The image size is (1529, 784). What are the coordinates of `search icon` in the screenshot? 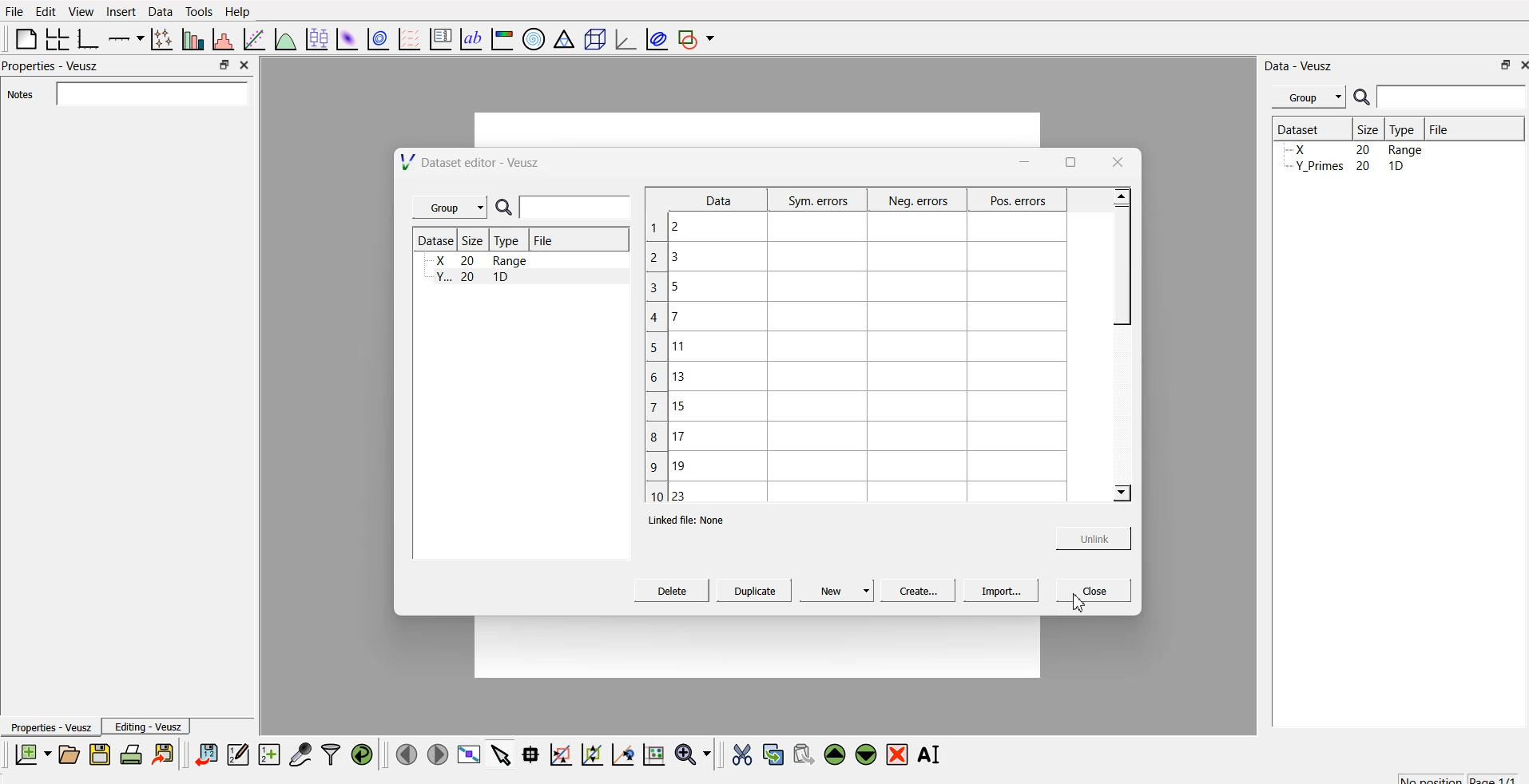 It's located at (1364, 99).